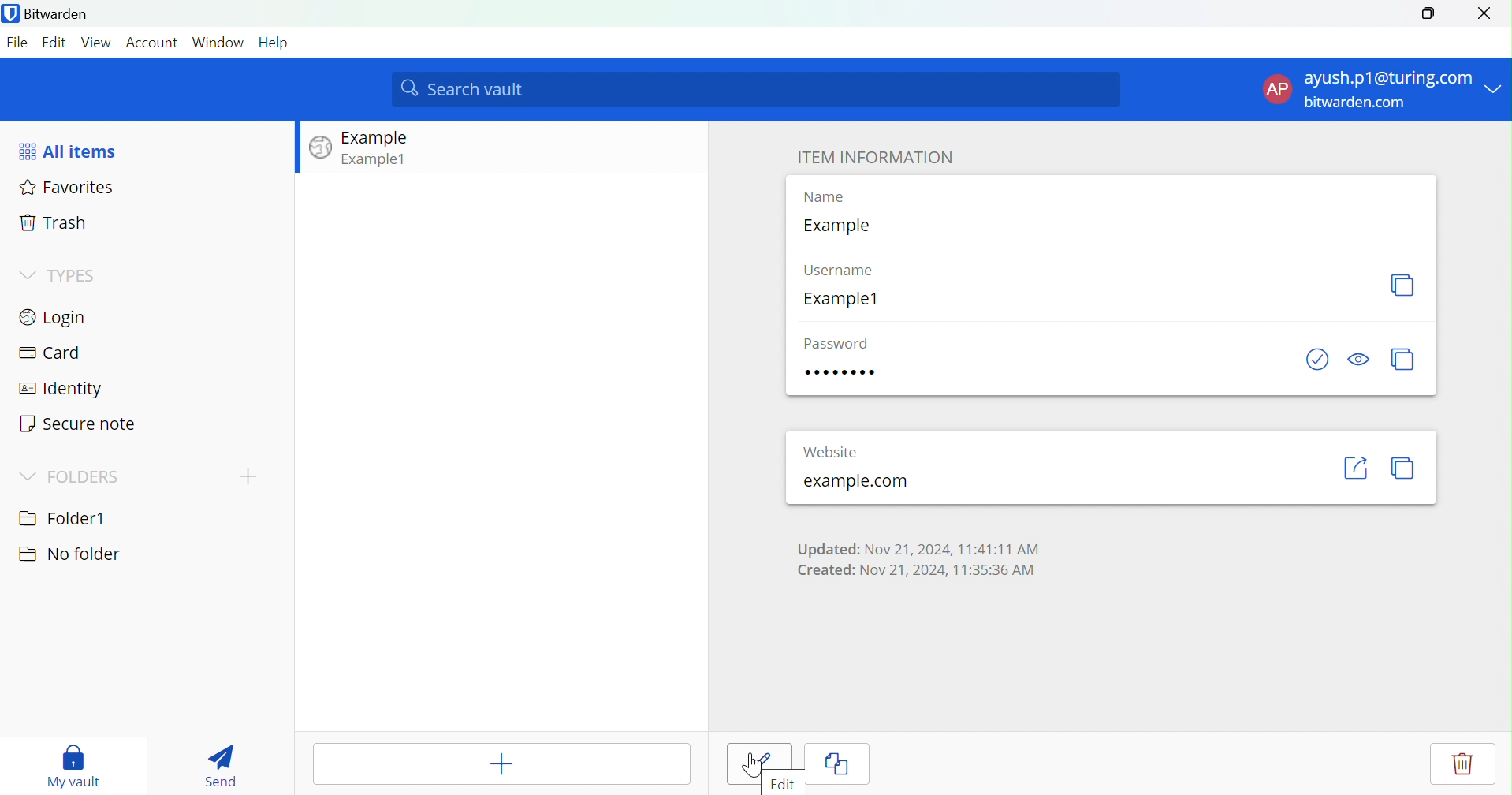  What do you see at coordinates (1316, 360) in the screenshot?
I see `Check if password has been exposed.` at bounding box center [1316, 360].